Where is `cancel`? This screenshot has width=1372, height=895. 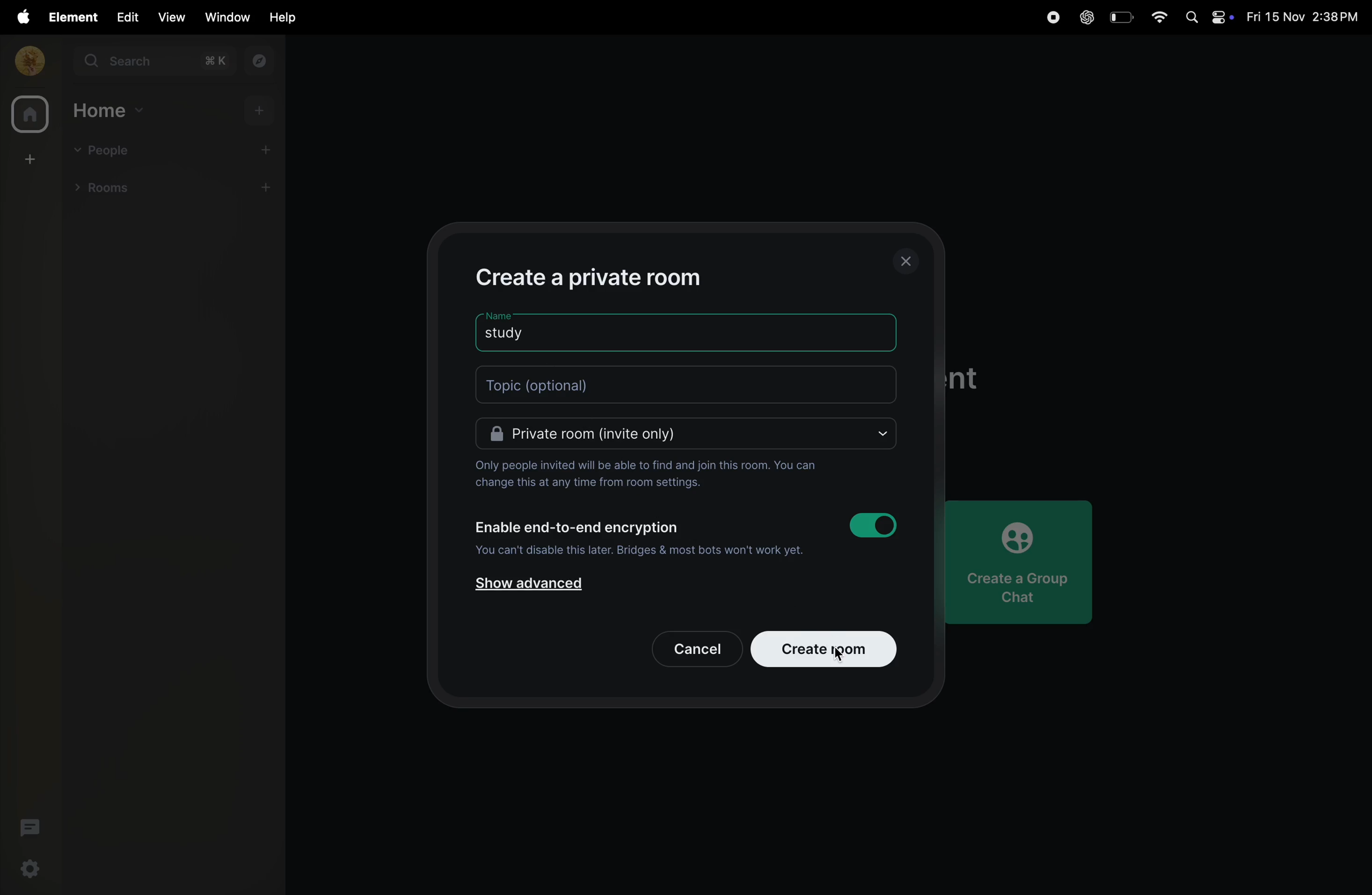 cancel is located at coordinates (698, 649).